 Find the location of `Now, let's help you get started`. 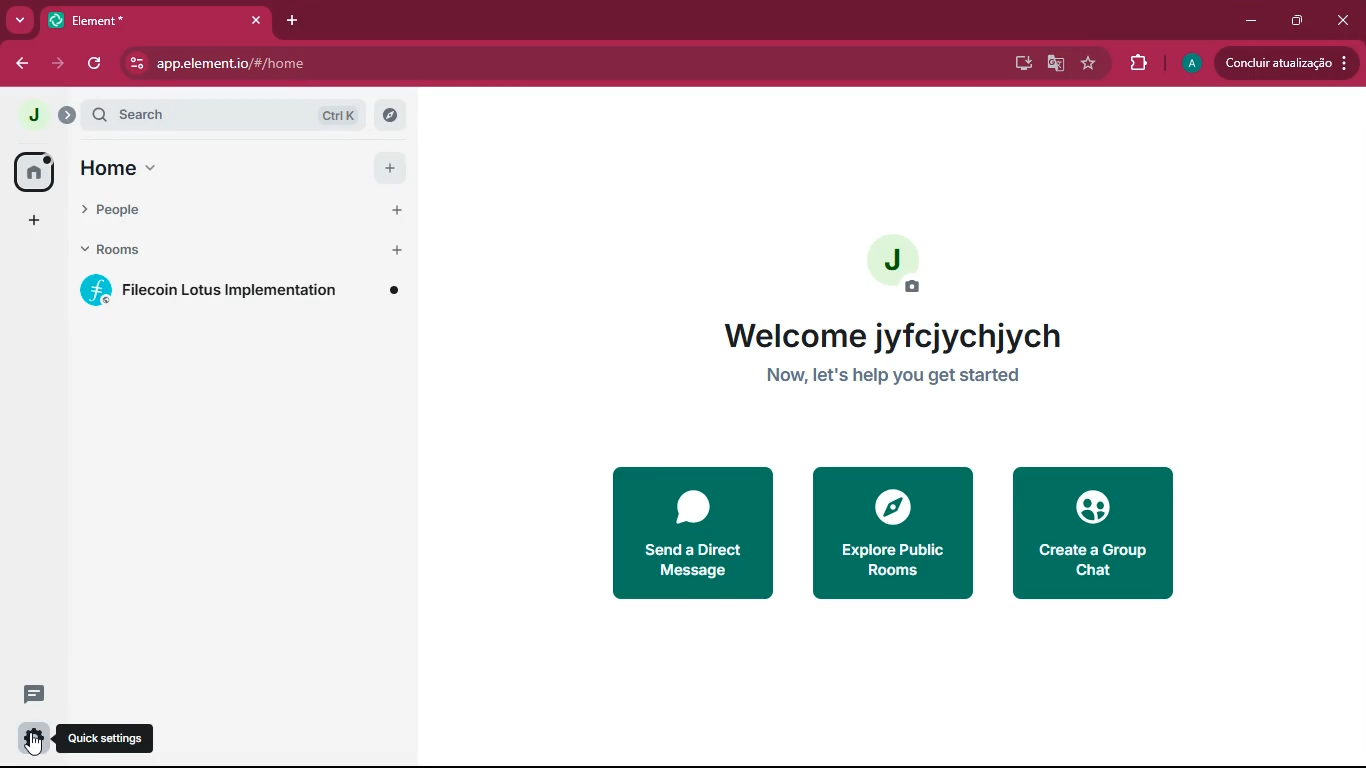

Now, let's help you get started is located at coordinates (913, 374).